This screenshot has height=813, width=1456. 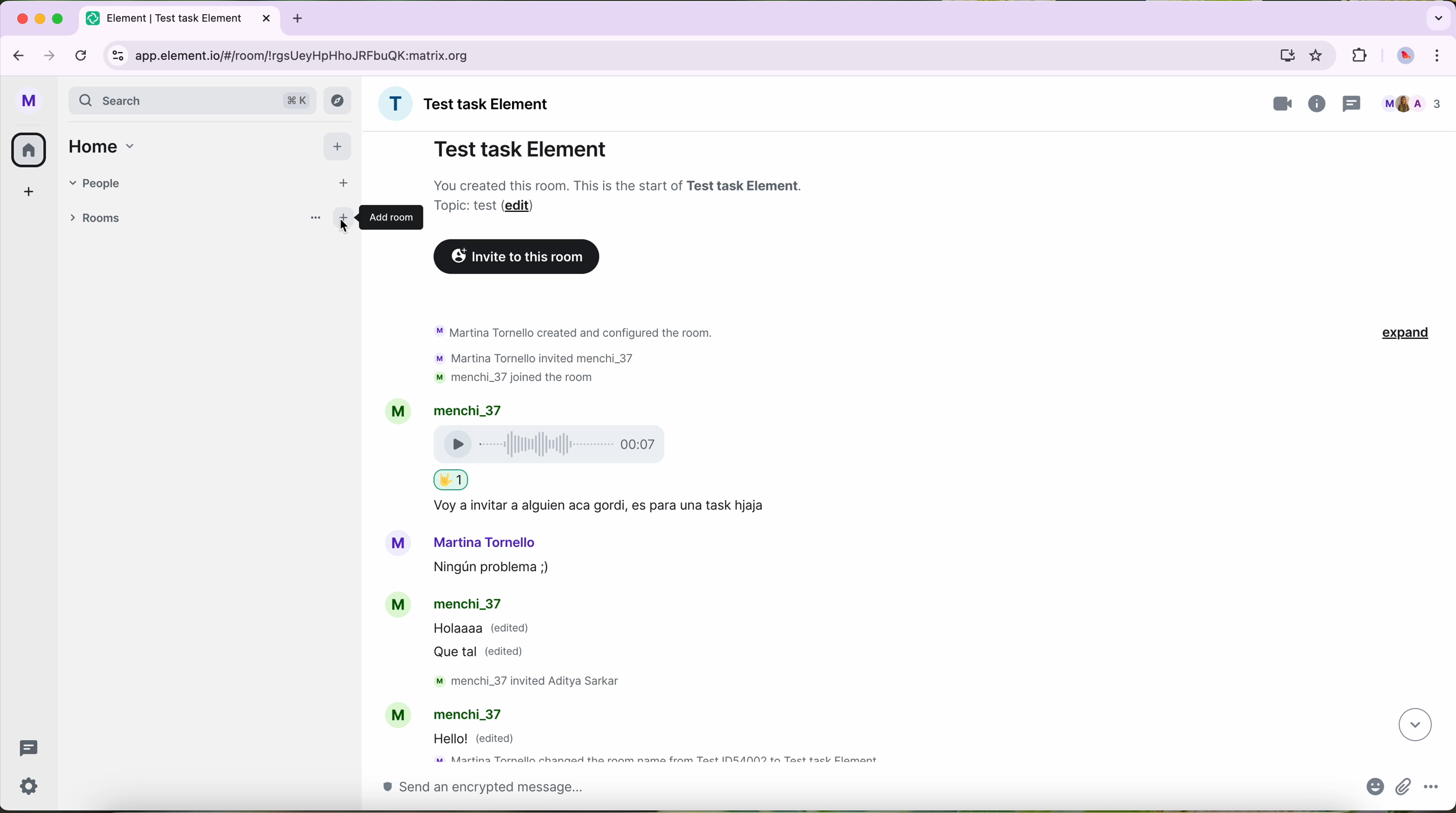 I want to click on profile, so click(x=29, y=103).